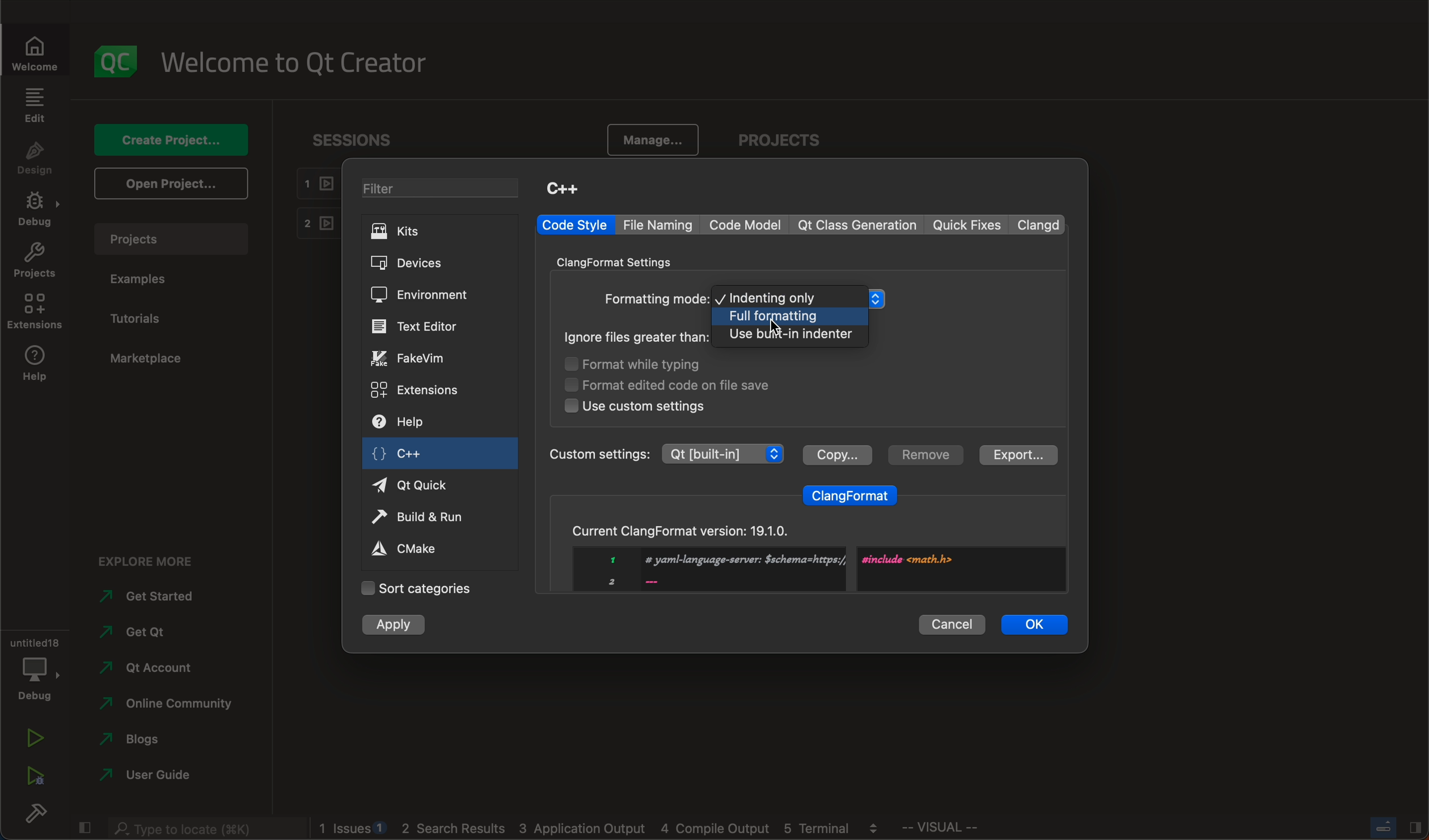 The image size is (1429, 840). Describe the element at coordinates (117, 61) in the screenshot. I see `logo` at that location.